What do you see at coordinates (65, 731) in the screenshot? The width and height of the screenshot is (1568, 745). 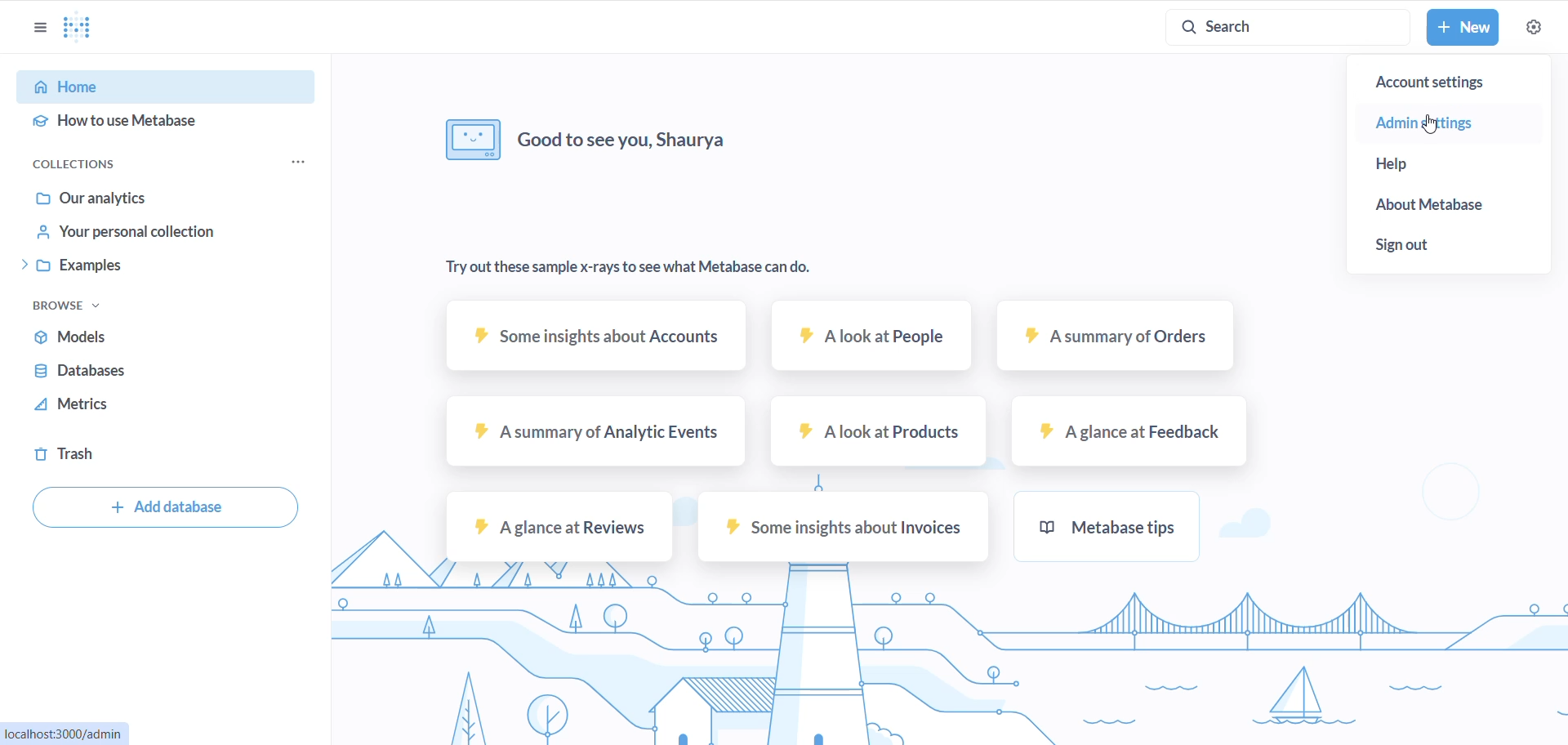 I see `localhost:3000/admin` at bounding box center [65, 731].